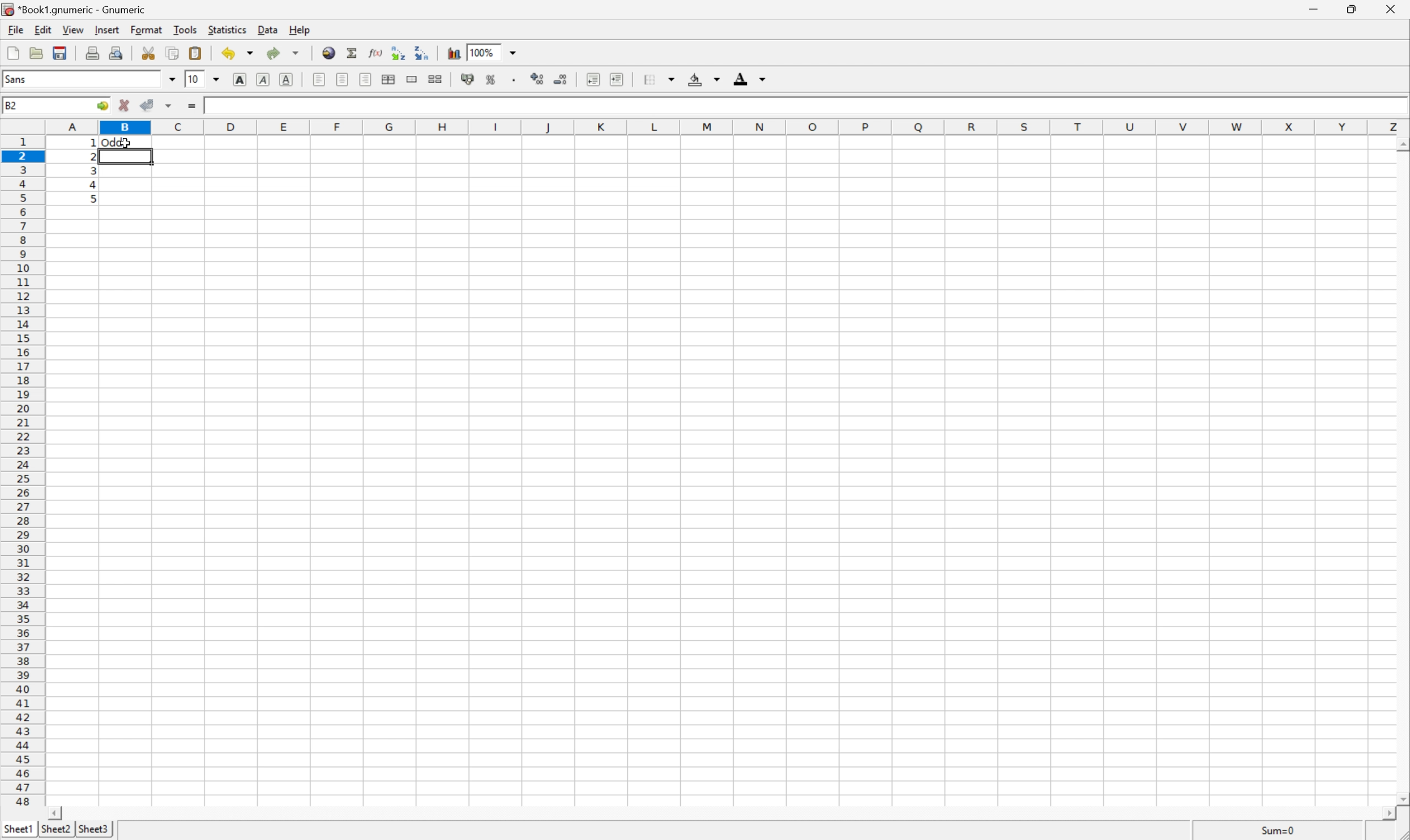  What do you see at coordinates (269, 29) in the screenshot?
I see `Data` at bounding box center [269, 29].